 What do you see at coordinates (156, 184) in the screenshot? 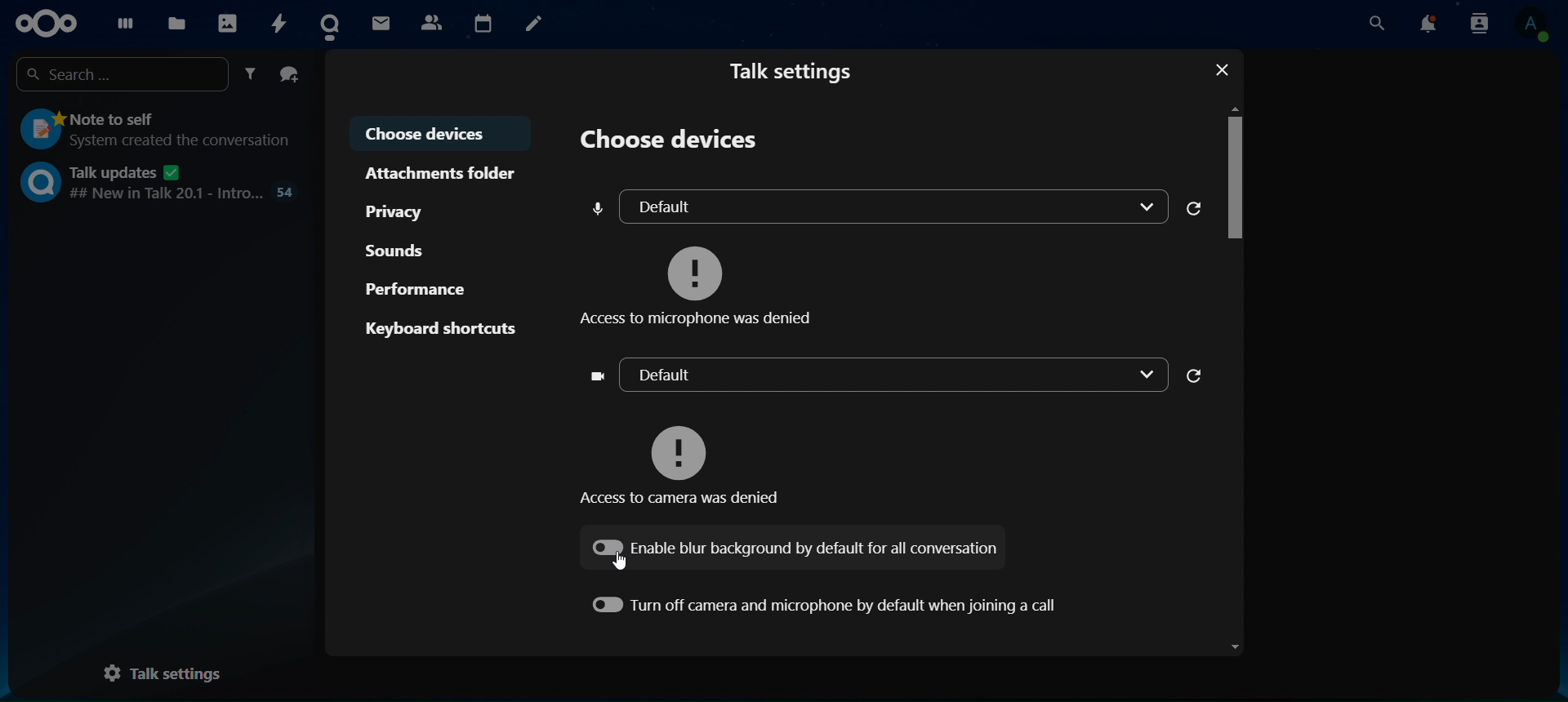
I see `talk updates` at bounding box center [156, 184].